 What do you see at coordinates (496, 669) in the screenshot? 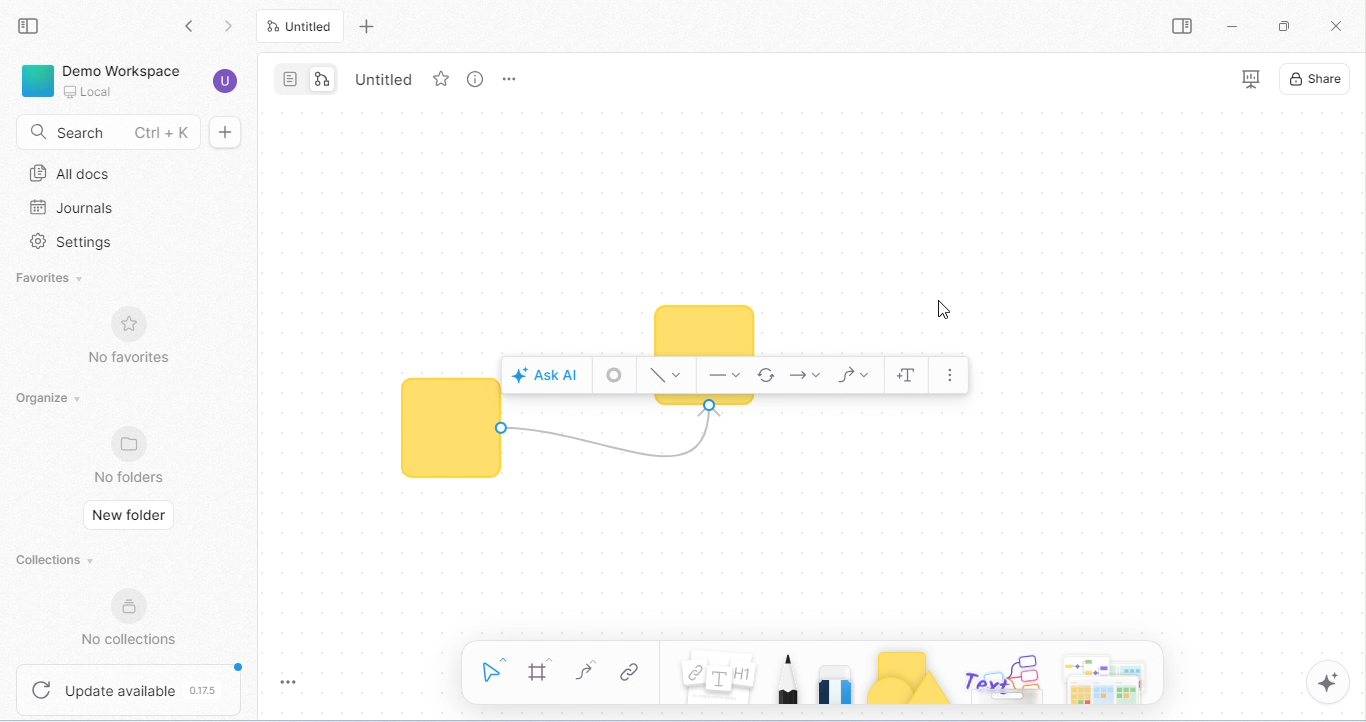
I see `select` at bounding box center [496, 669].